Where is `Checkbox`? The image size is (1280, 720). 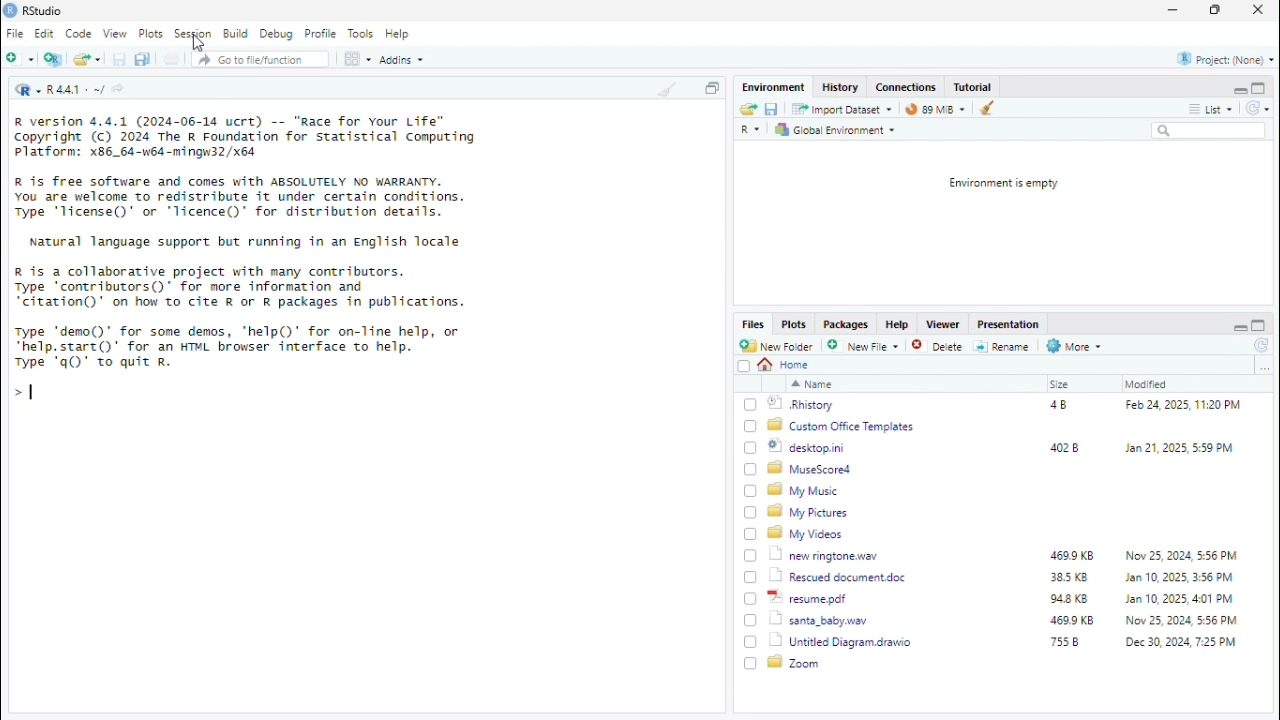 Checkbox is located at coordinates (751, 491).